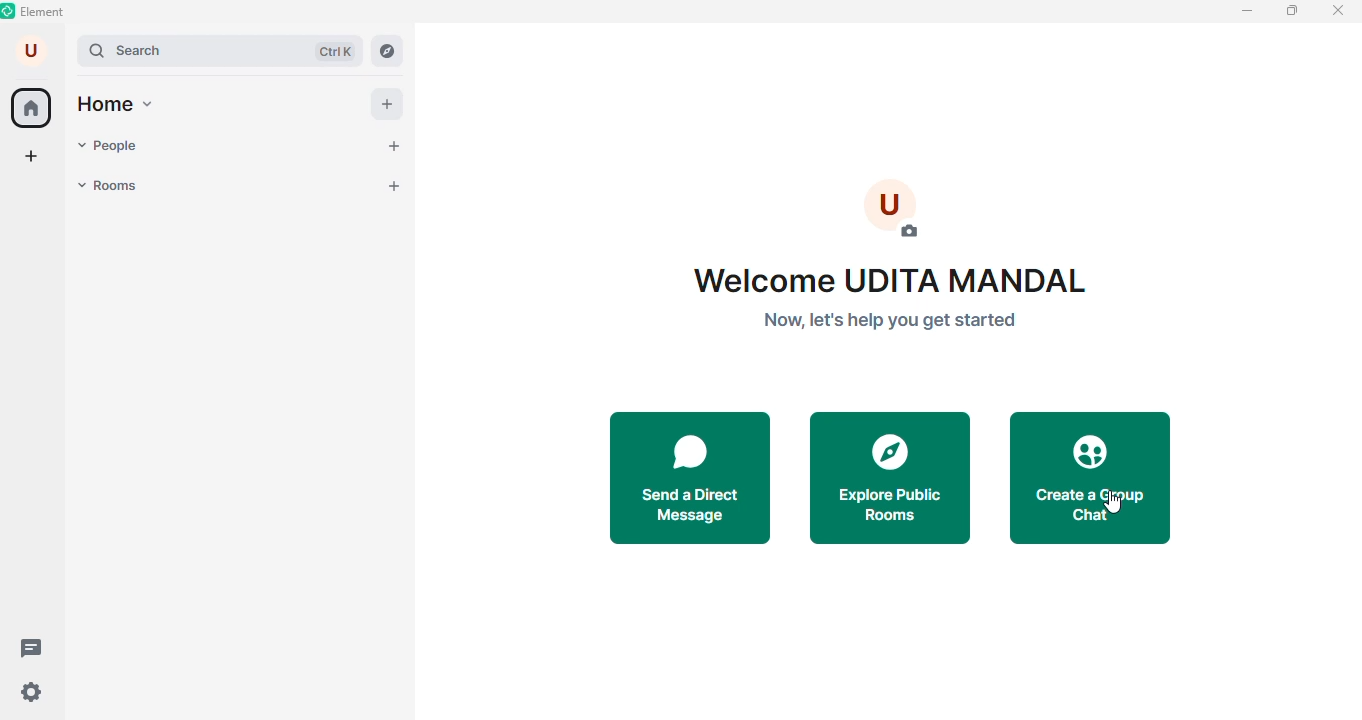 The width and height of the screenshot is (1362, 720). I want to click on send a direct message, so click(691, 474).